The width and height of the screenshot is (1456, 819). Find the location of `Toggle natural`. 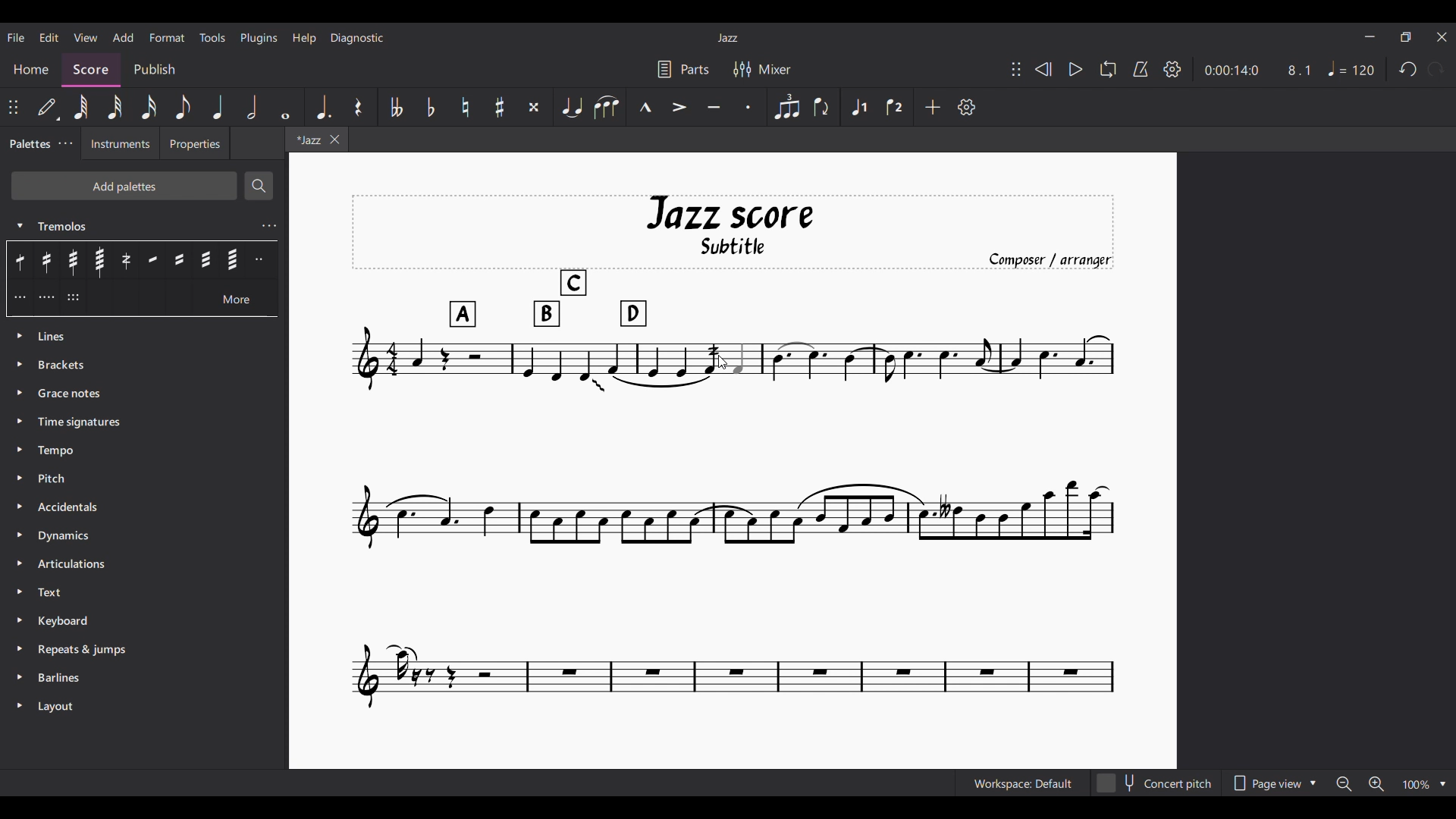

Toggle natural is located at coordinates (466, 107).